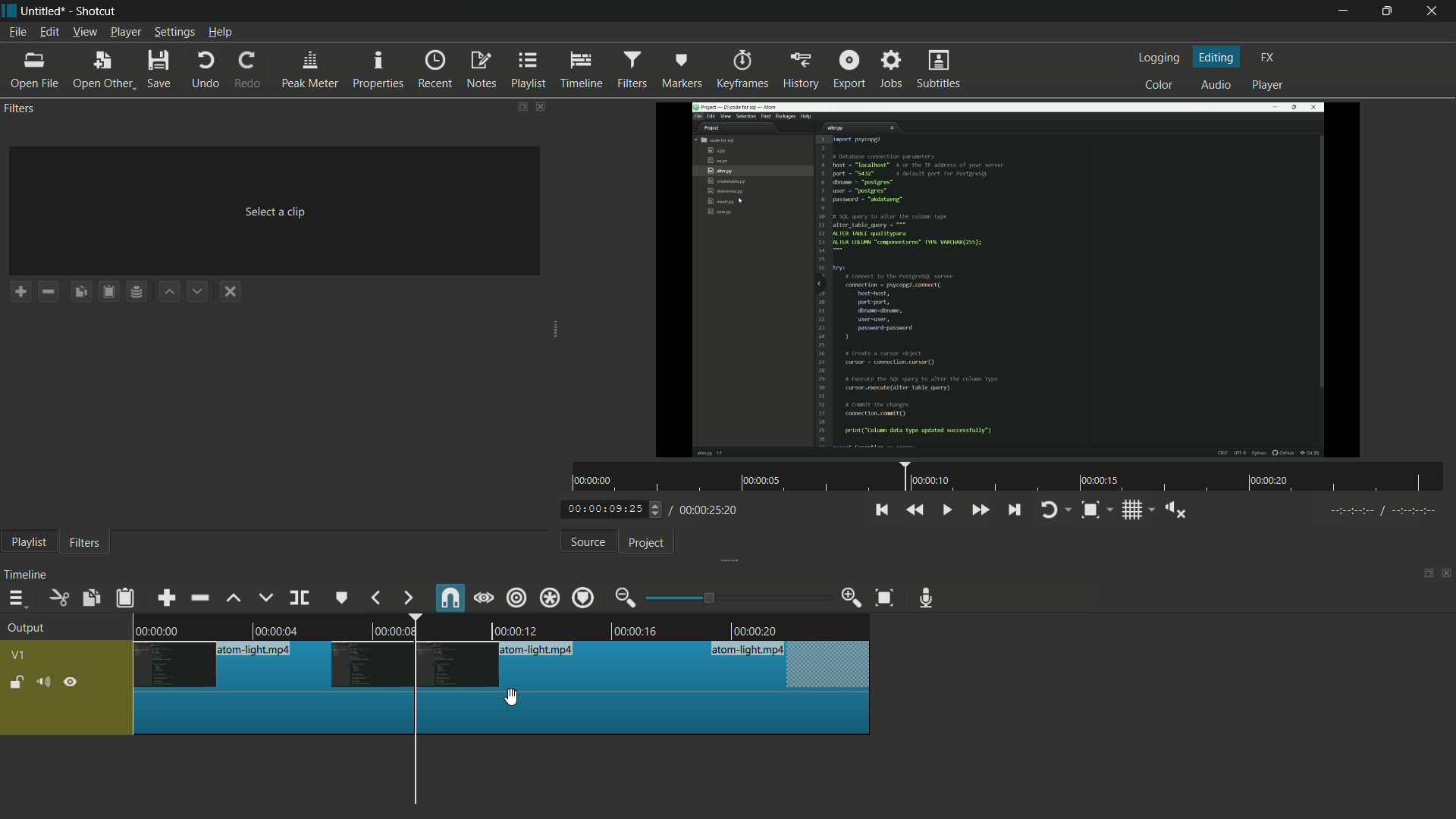  What do you see at coordinates (127, 598) in the screenshot?
I see `paste filters` at bounding box center [127, 598].